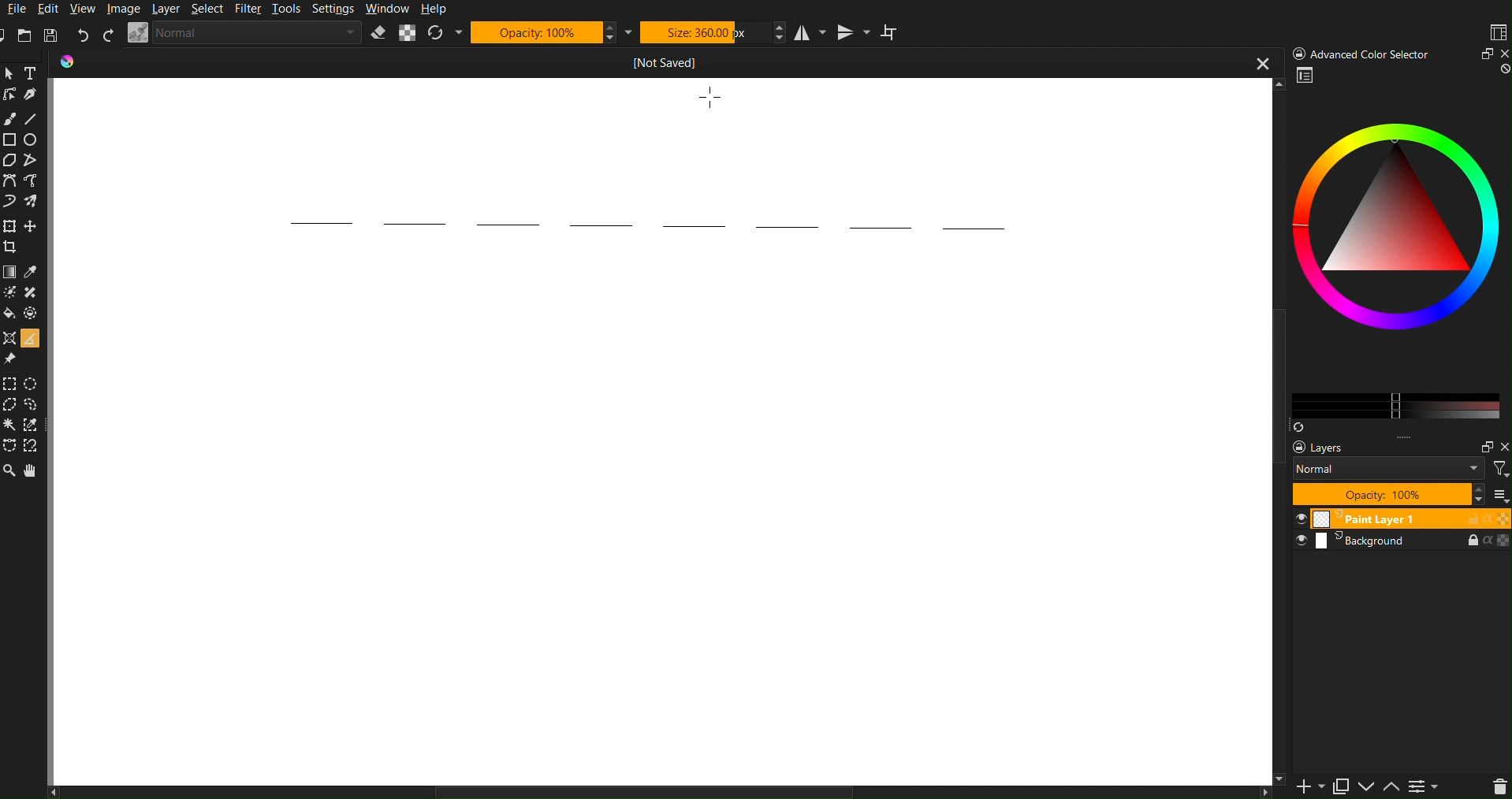 Image resolution: width=1512 pixels, height=799 pixels. I want to click on Layer Settings, so click(1393, 471).